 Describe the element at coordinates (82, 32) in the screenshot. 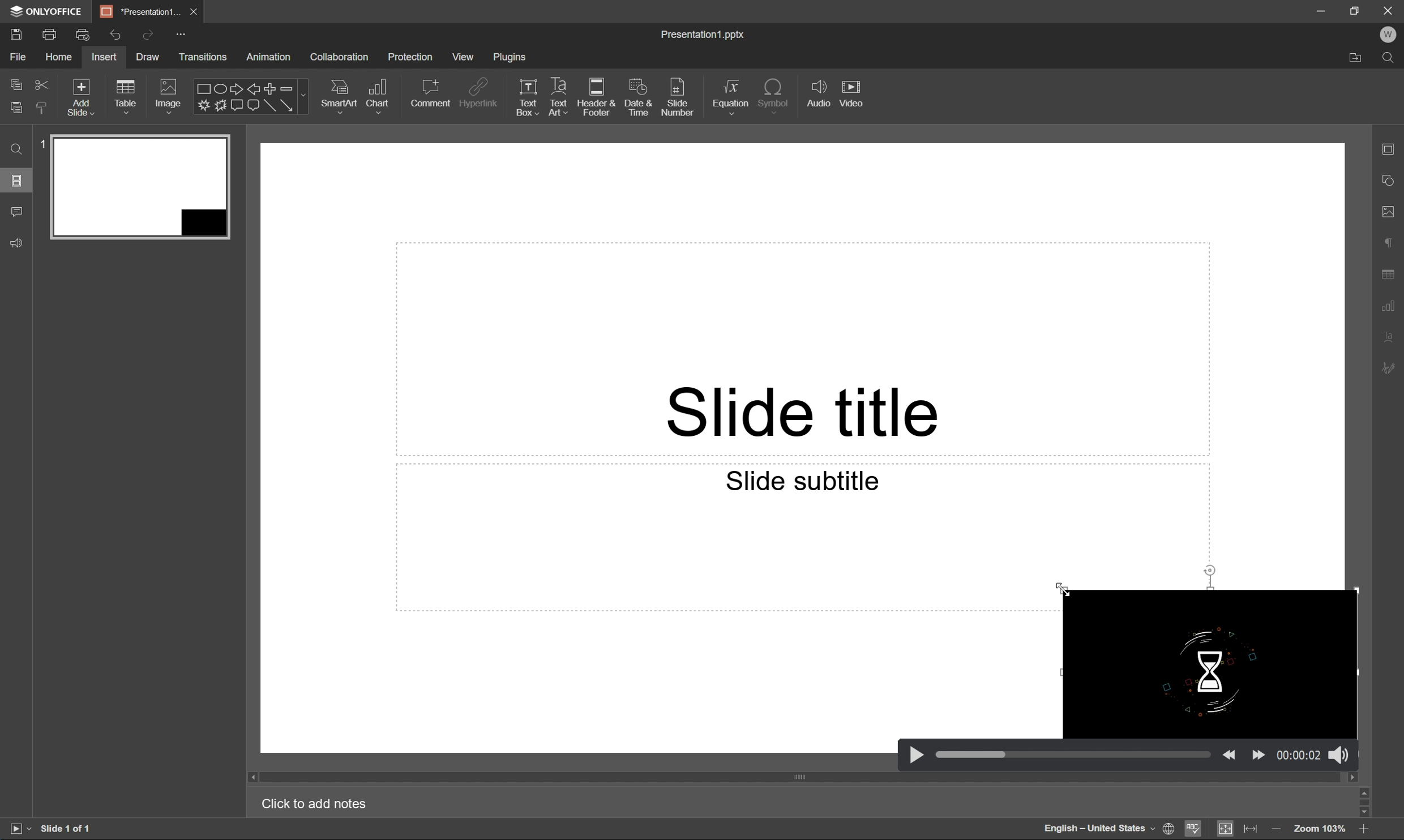

I see `quick print` at that location.